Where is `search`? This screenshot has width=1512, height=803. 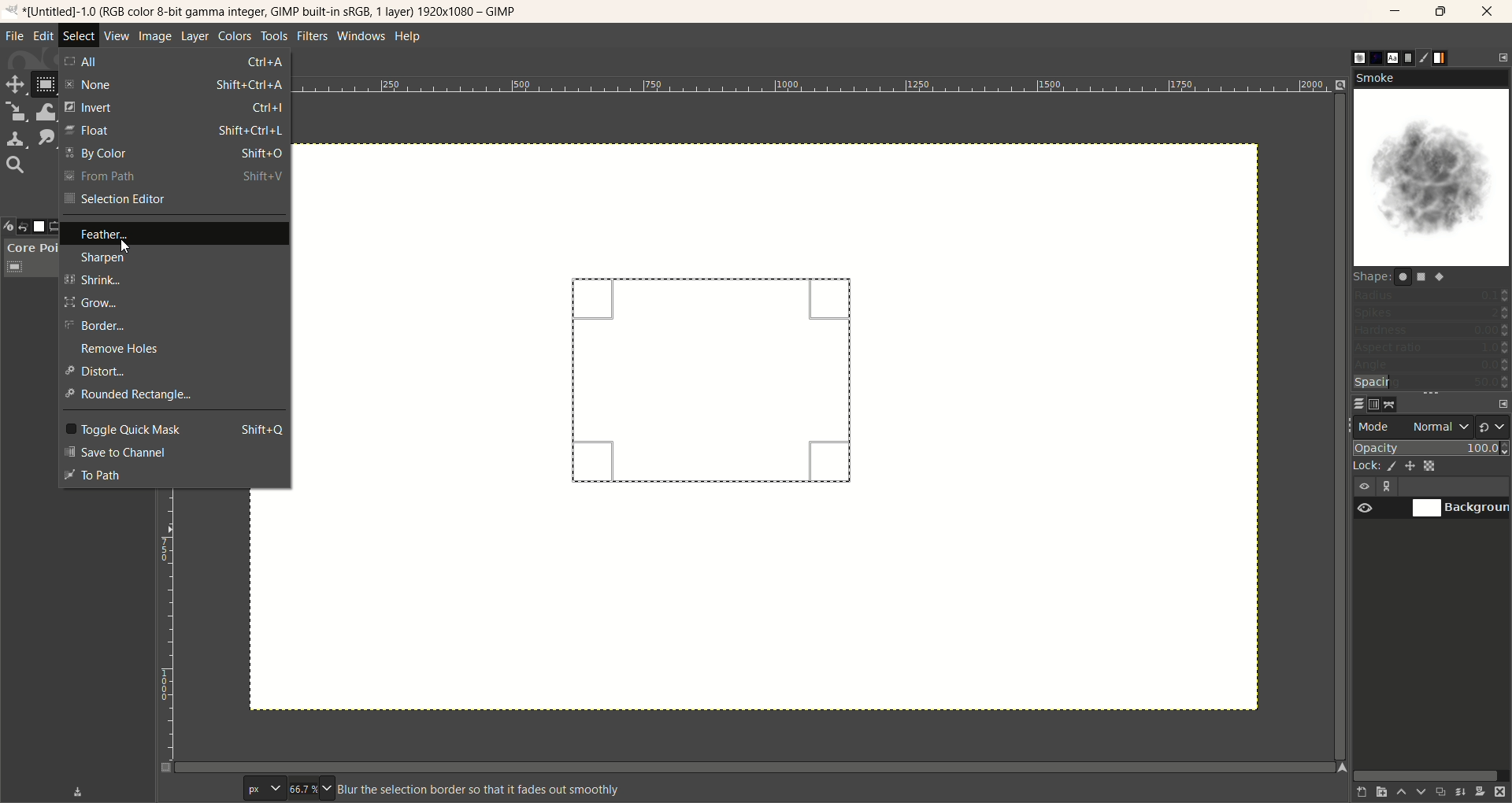
search is located at coordinates (16, 167).